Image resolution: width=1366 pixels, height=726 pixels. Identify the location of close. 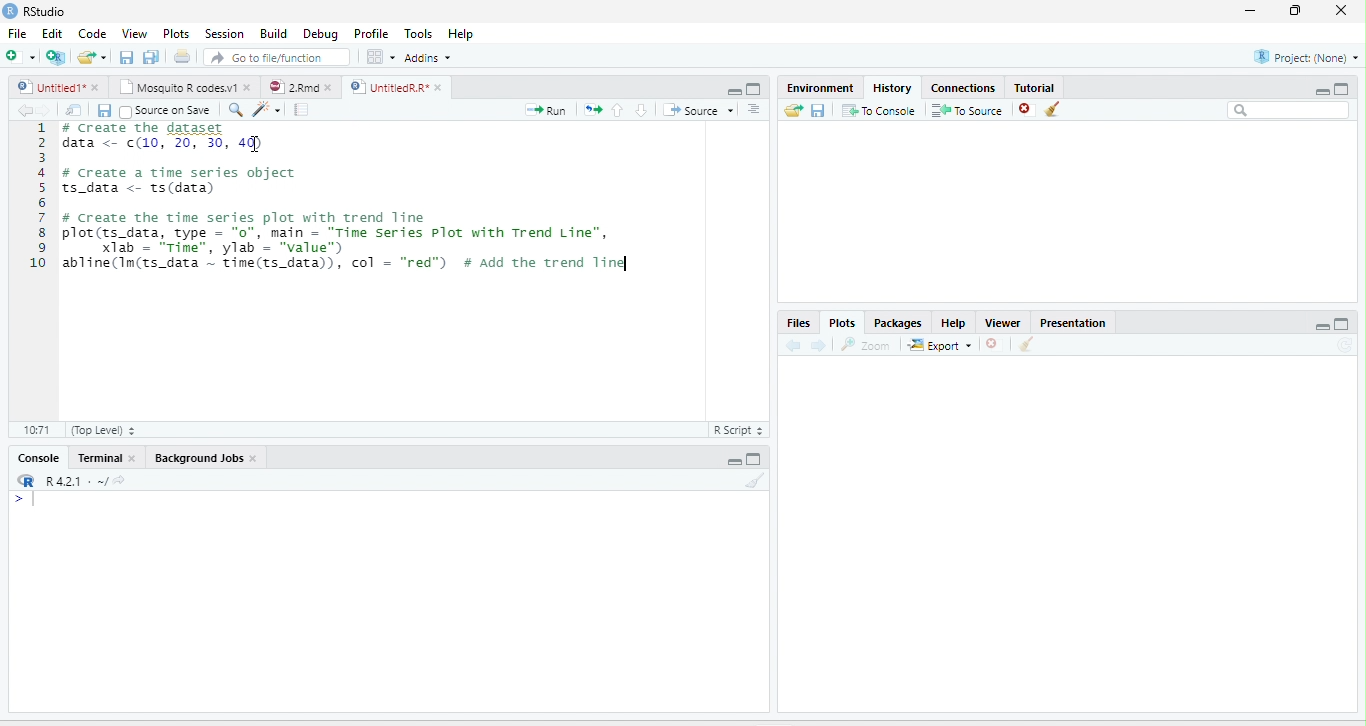
(131, 458).